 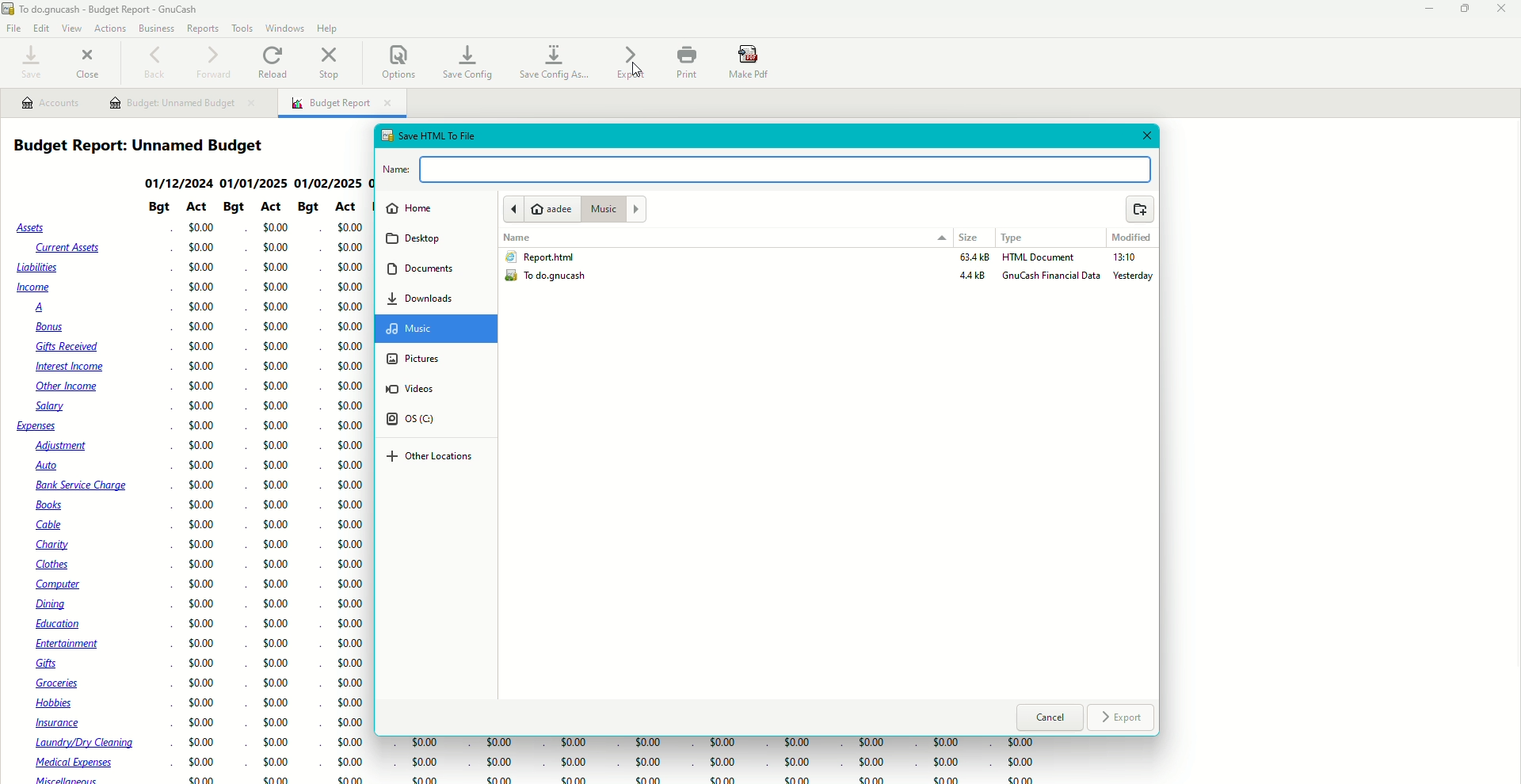 What do you see at coordinates (154, 63) in the screenshot?
I see `Back` at bounding box center [154, 63].